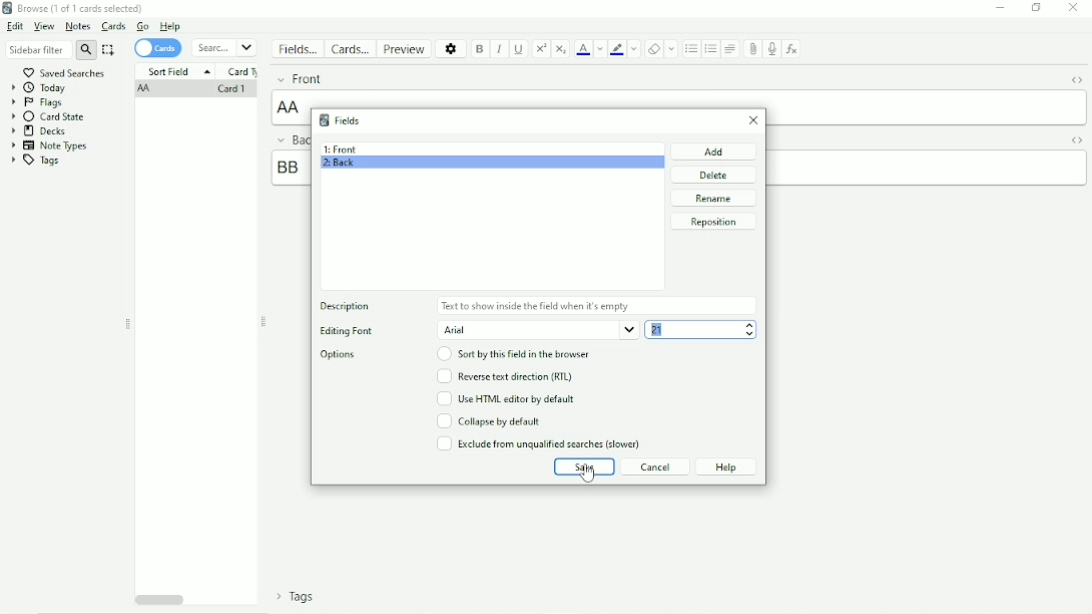 This screenshot has height=614, width=1092. I want to click on Fields, so click(339, 120).